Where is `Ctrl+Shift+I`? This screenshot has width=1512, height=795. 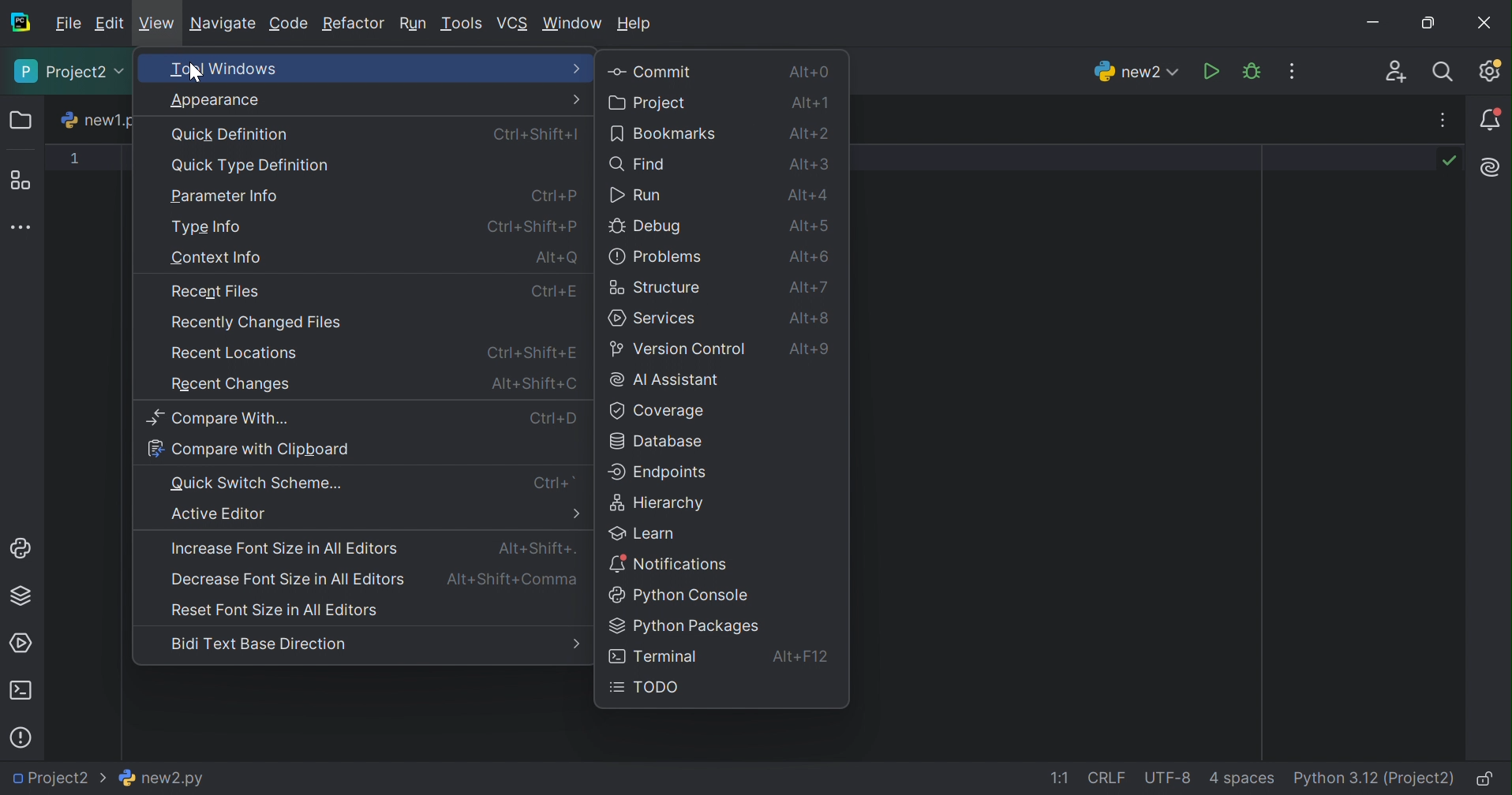 Ctrl+Shift+I is located at coordinates (538, 132).